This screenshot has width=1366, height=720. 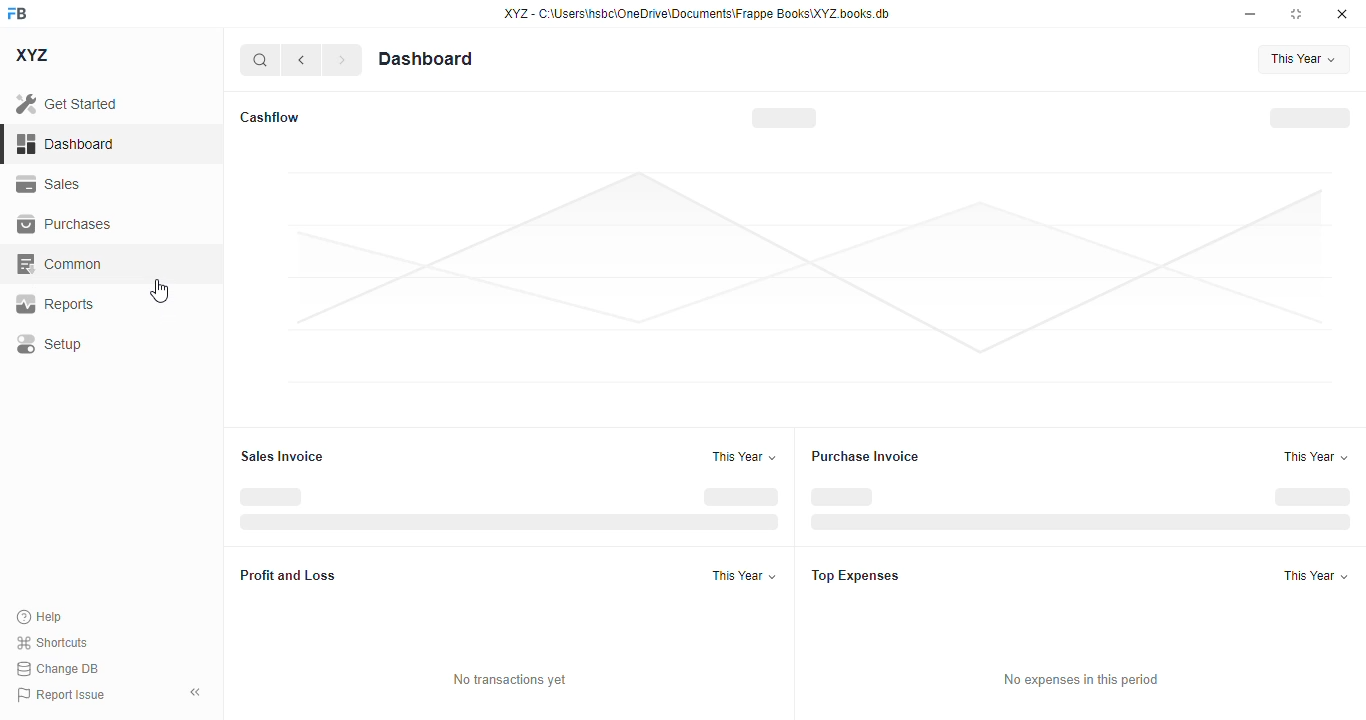 What do you see at coordinates (61, 695) in the screenshot?
I see `report issue` at bounding box center [61, 695].